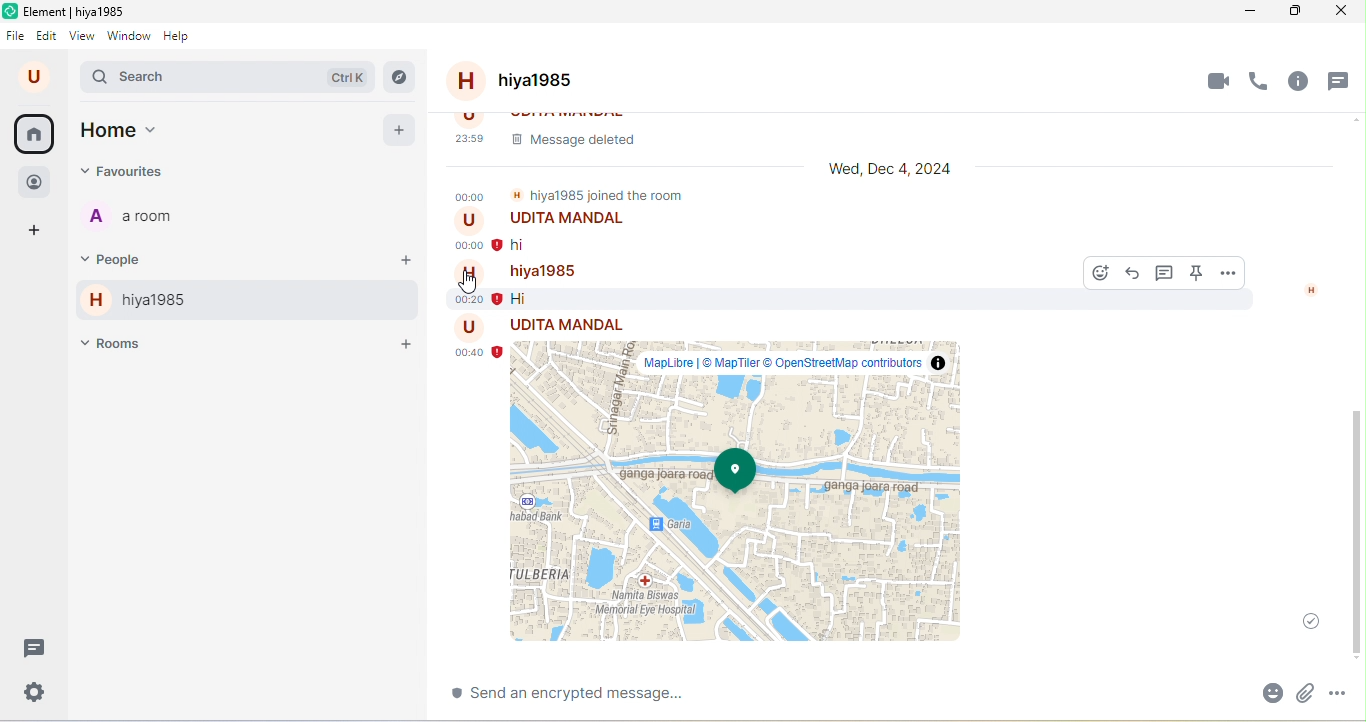 The height and width of the screenshot is (722, 1366). What do you see at coordinates (35, 182) in the screenshot?
I see `people` at bounding box center [35, 182].